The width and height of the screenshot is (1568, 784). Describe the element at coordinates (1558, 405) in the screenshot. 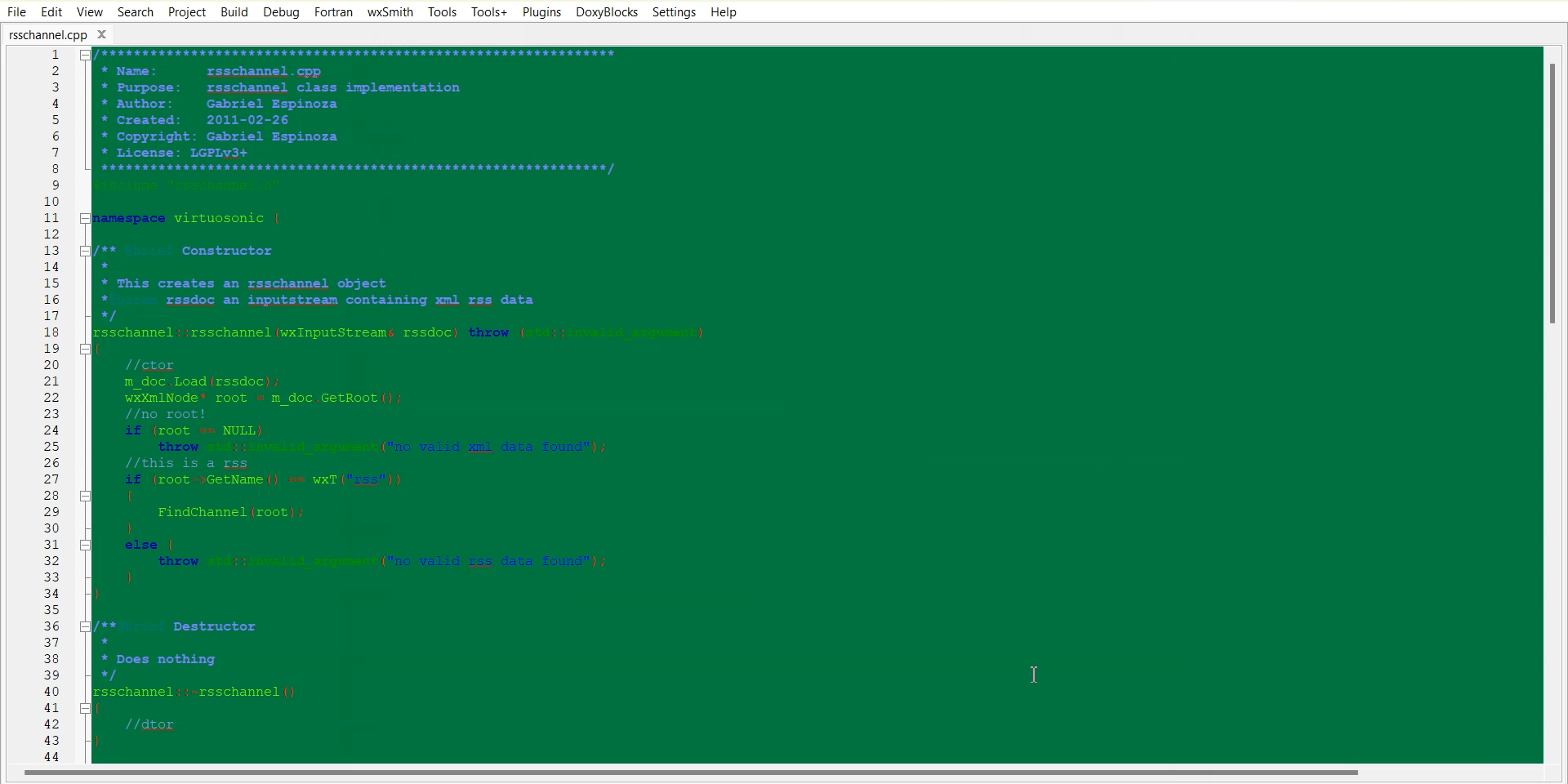

I see `Vertical Scroll bar` at that location.